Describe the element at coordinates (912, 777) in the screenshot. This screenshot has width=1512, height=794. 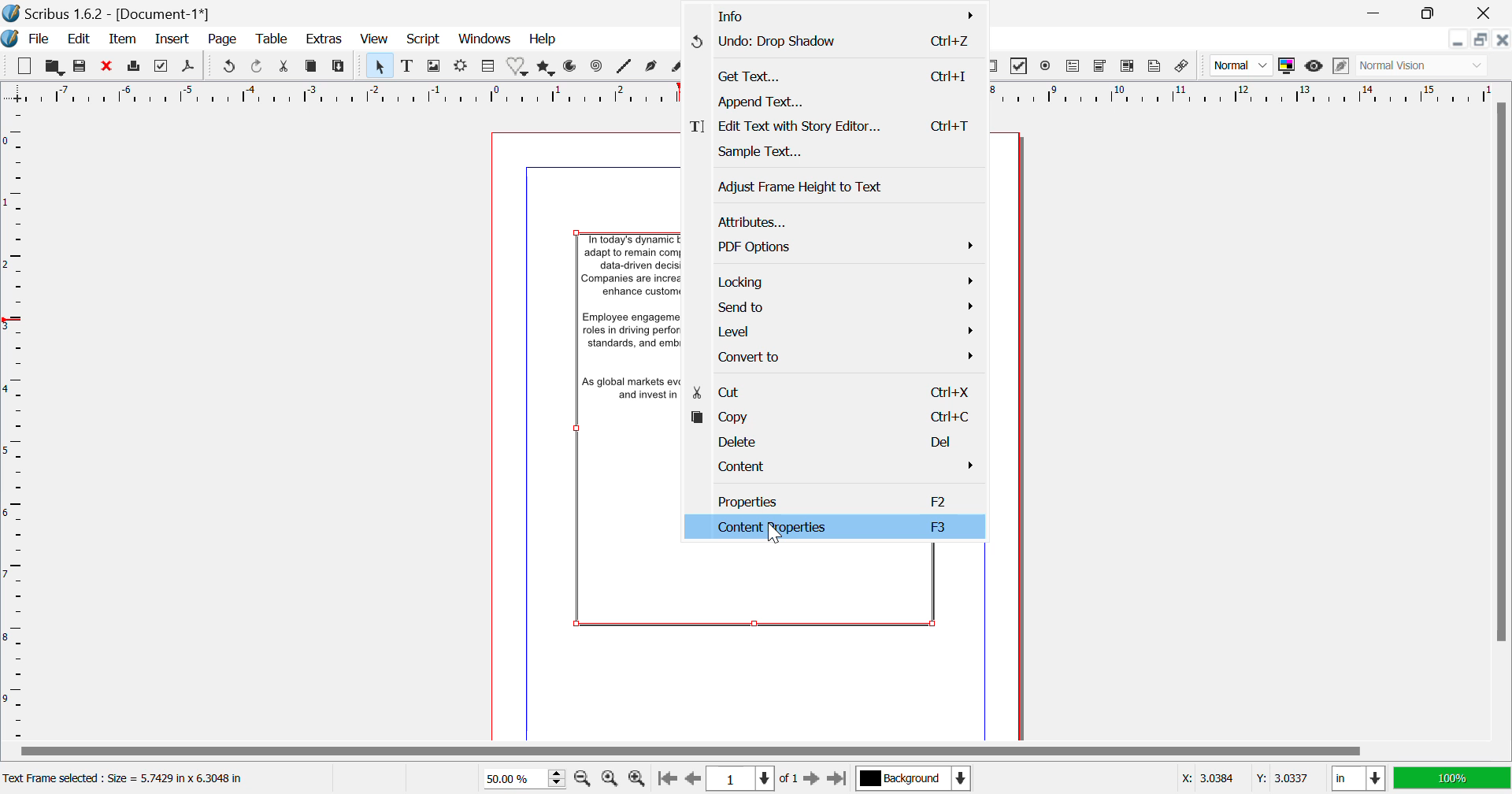
I see `Background` at that location.